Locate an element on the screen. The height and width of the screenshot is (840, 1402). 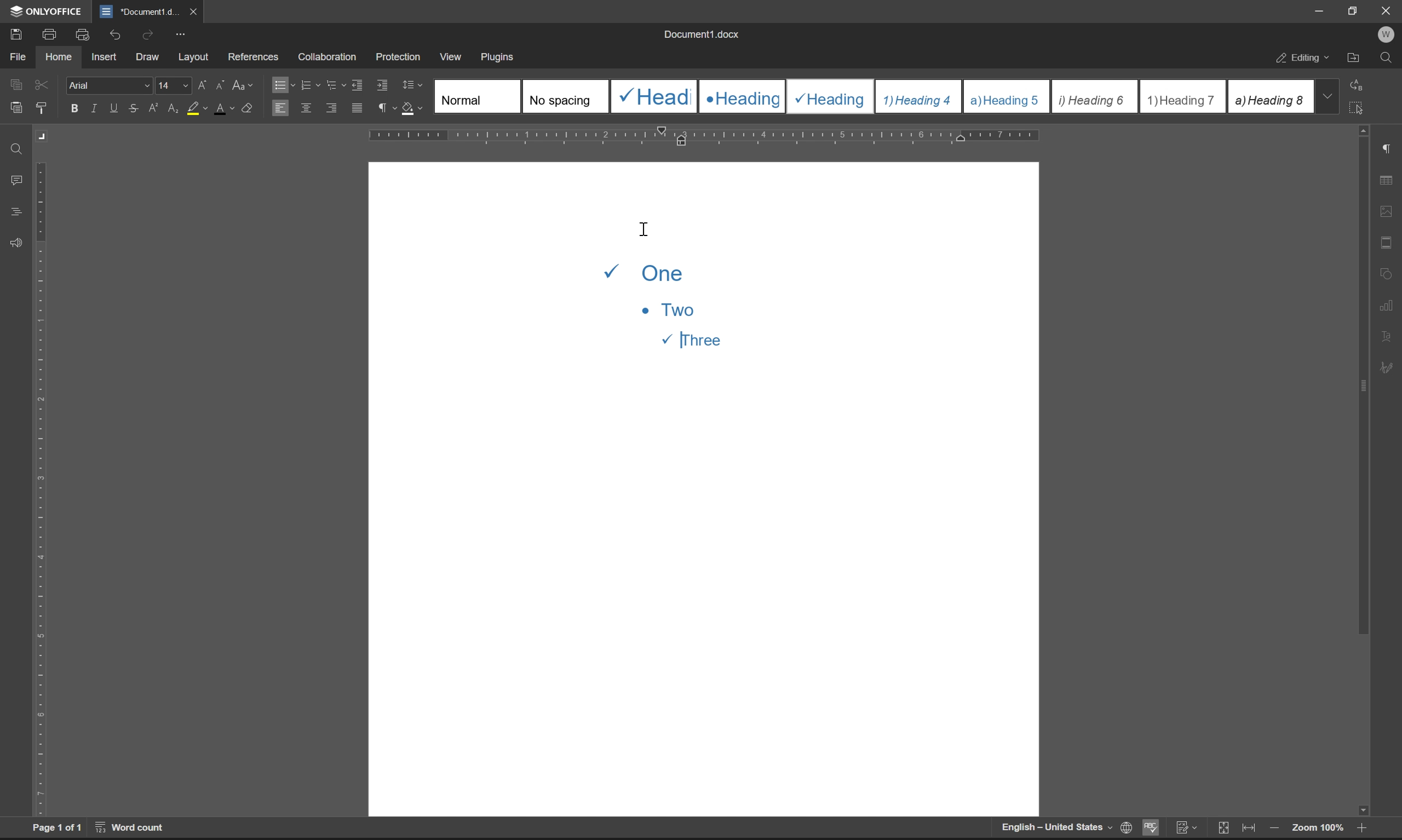
shape settings is located at coordinates (1386, 271).